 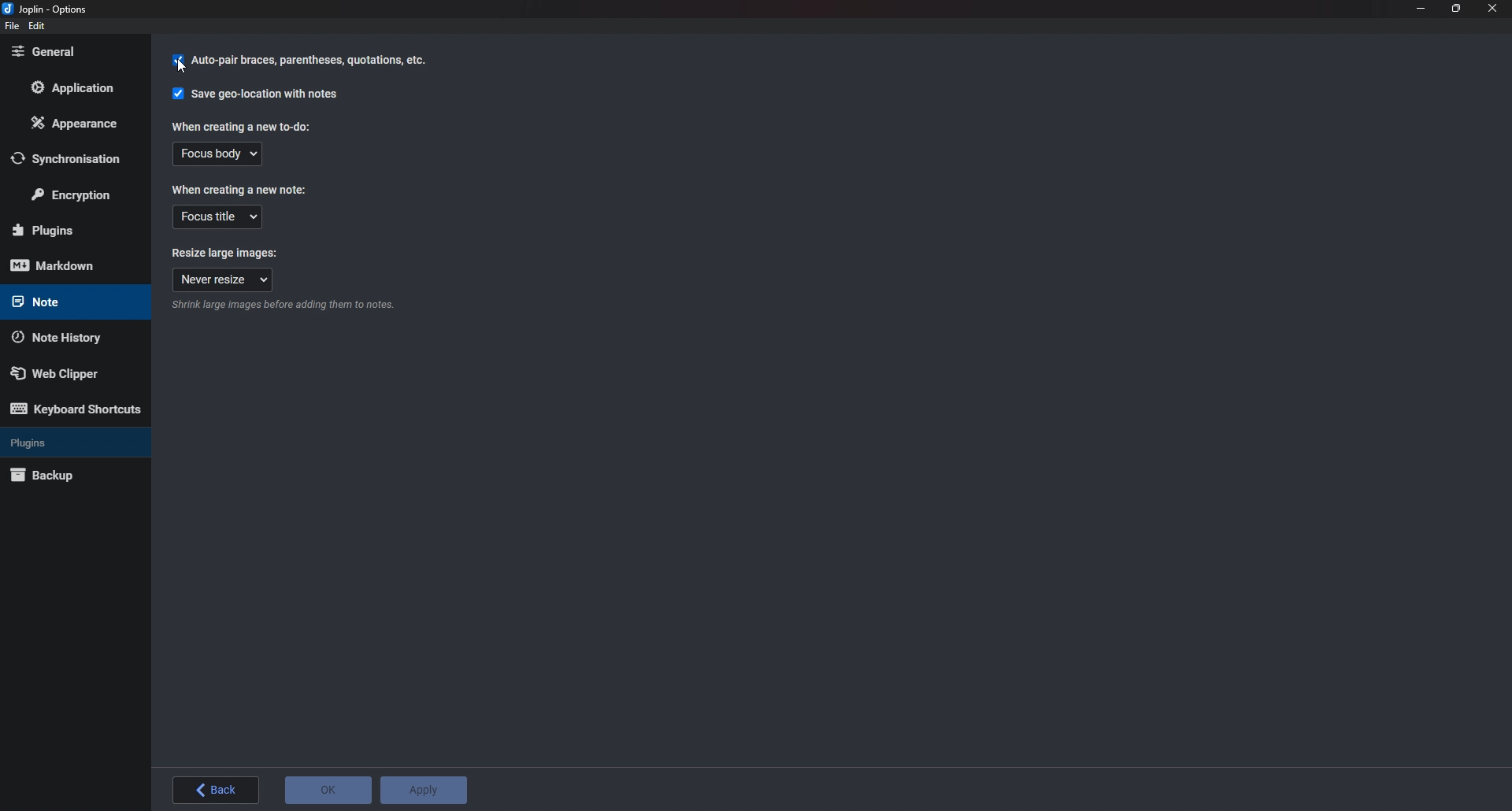 I want to click on close, so click(x=1492, y=10).